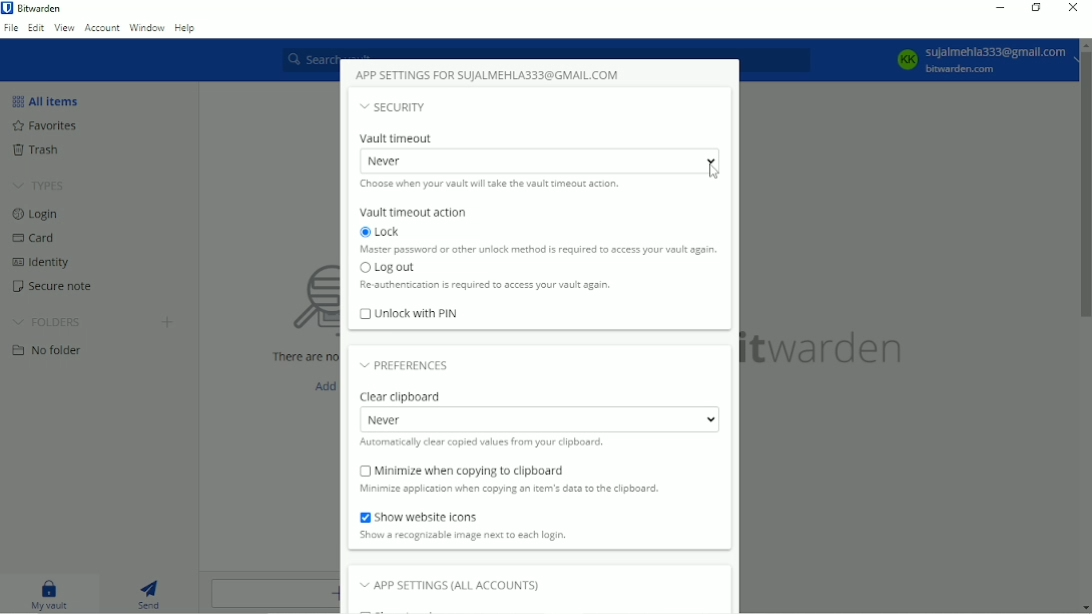 Image resolution: width=1092 pixels, height=614 pixels. What do you see at coordinates (518, 489) in the screenshot?
I see `Minimize application when copying an item's data to the clipboard.` at bounding box center [518, 489].